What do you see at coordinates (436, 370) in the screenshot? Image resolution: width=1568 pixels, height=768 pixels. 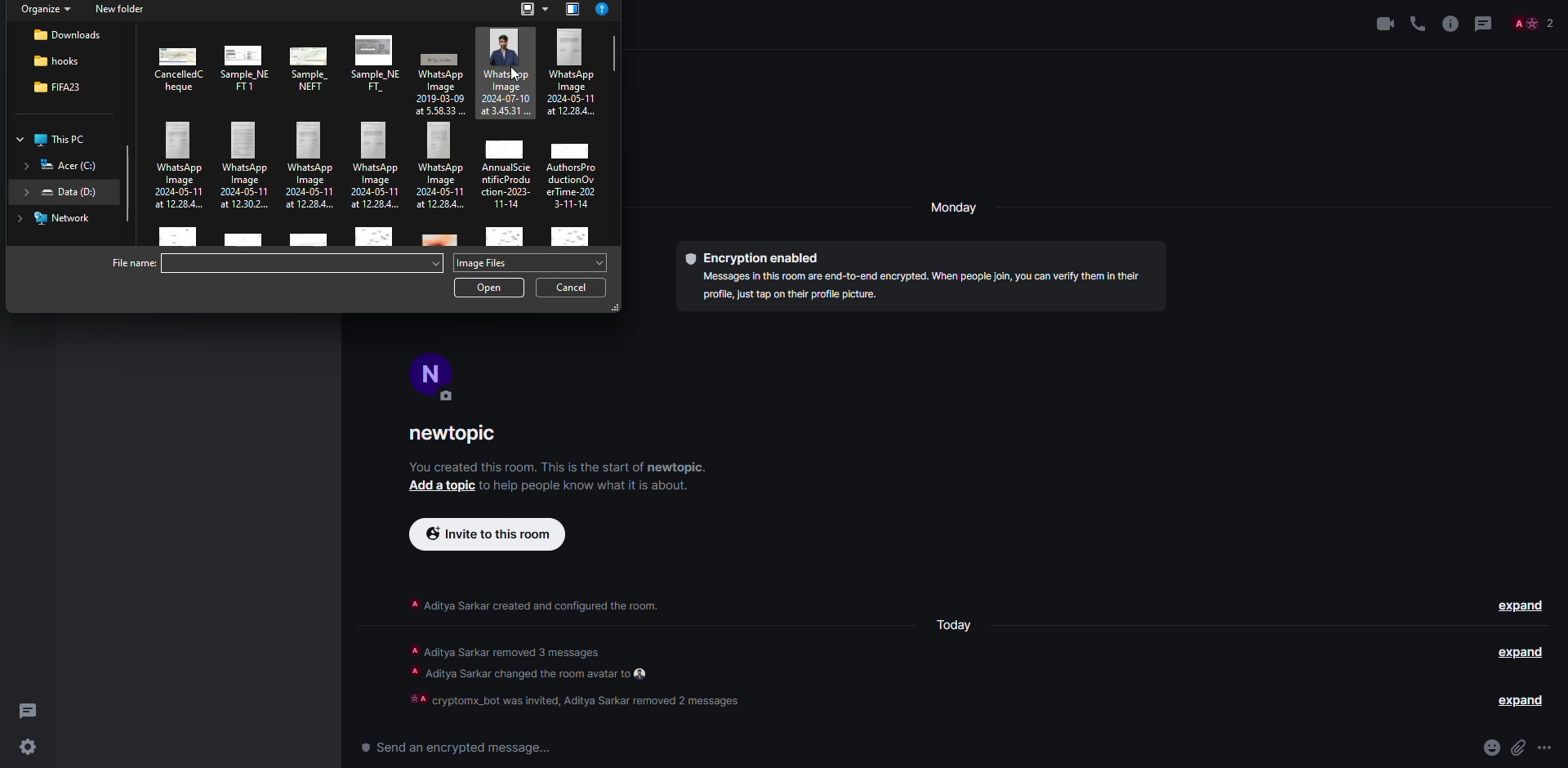 I see `profile` at bounding box center [436, 370].